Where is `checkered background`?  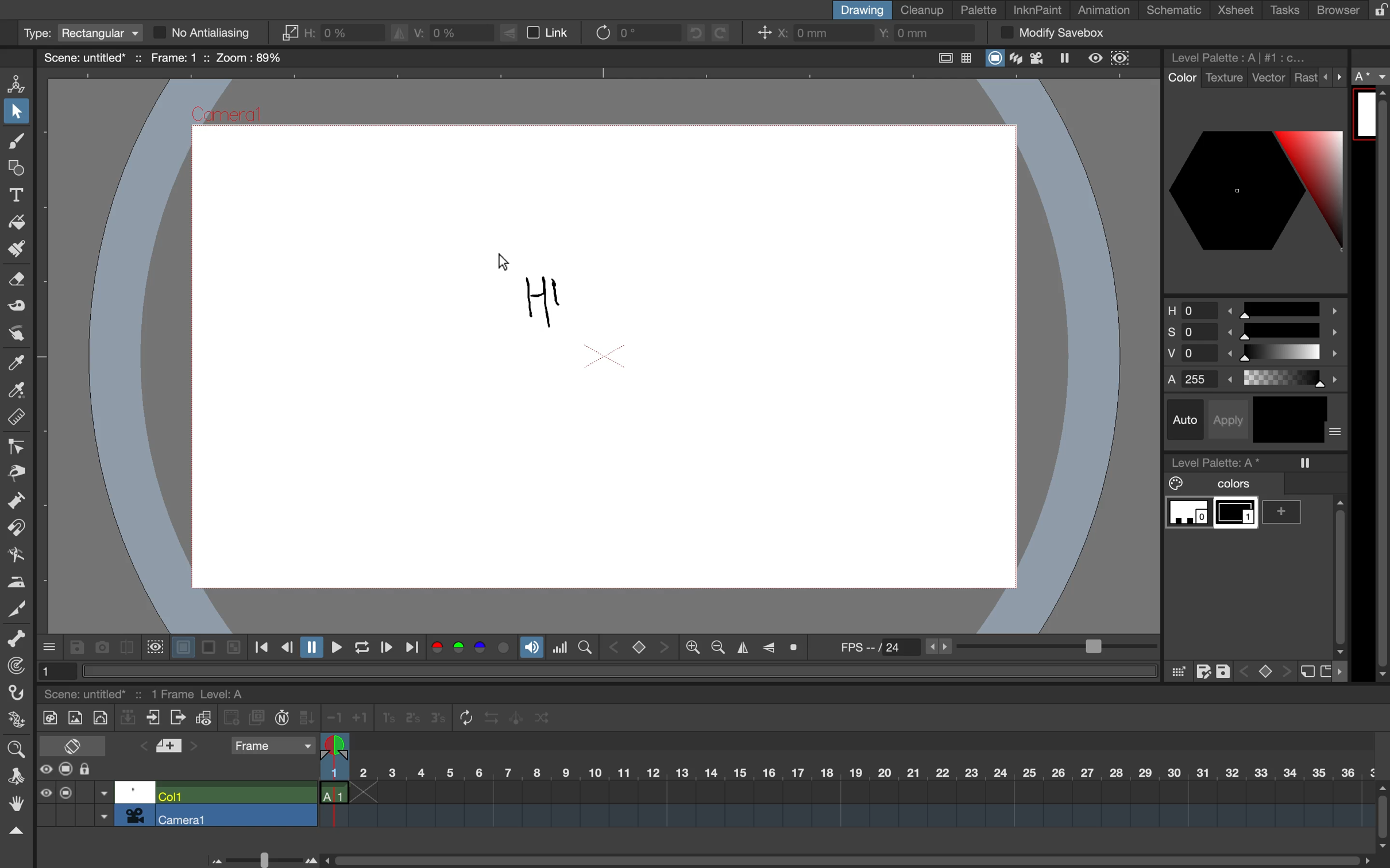 checkered background is located at coordinates (232, 646).